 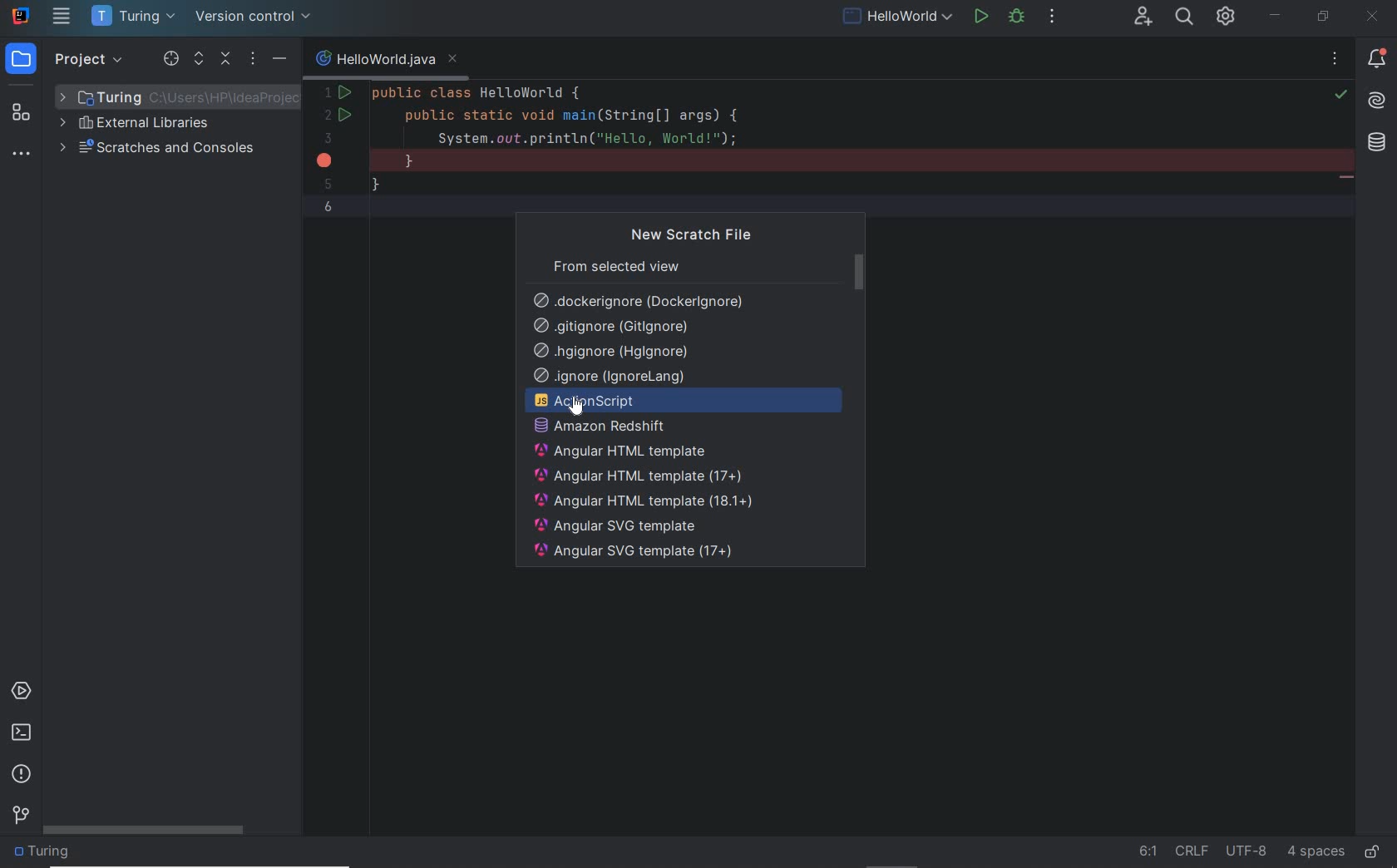 I want to click on 6, so click(x=328, y=207).